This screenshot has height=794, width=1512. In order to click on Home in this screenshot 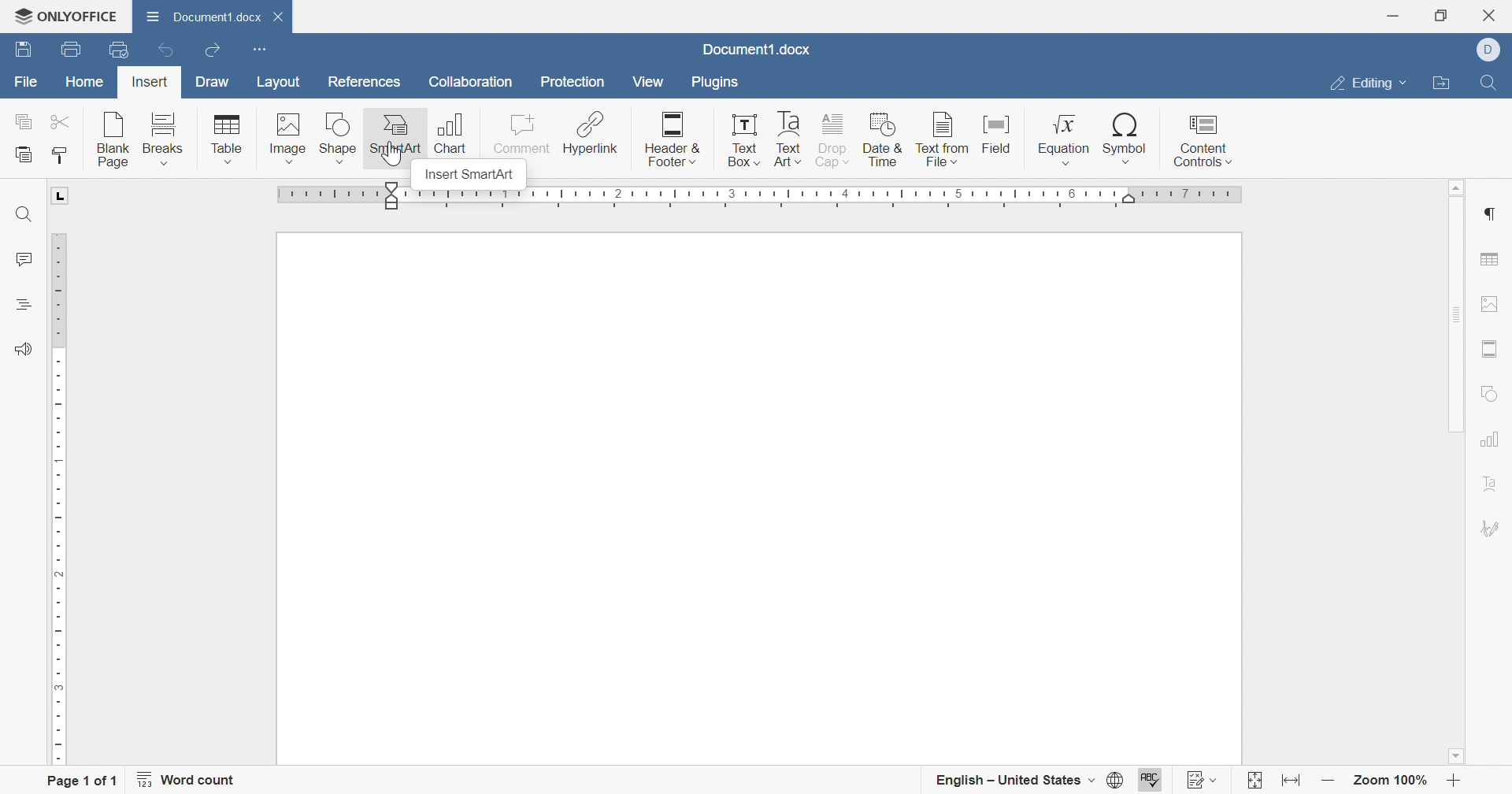, I will do `click(86, 82)`.